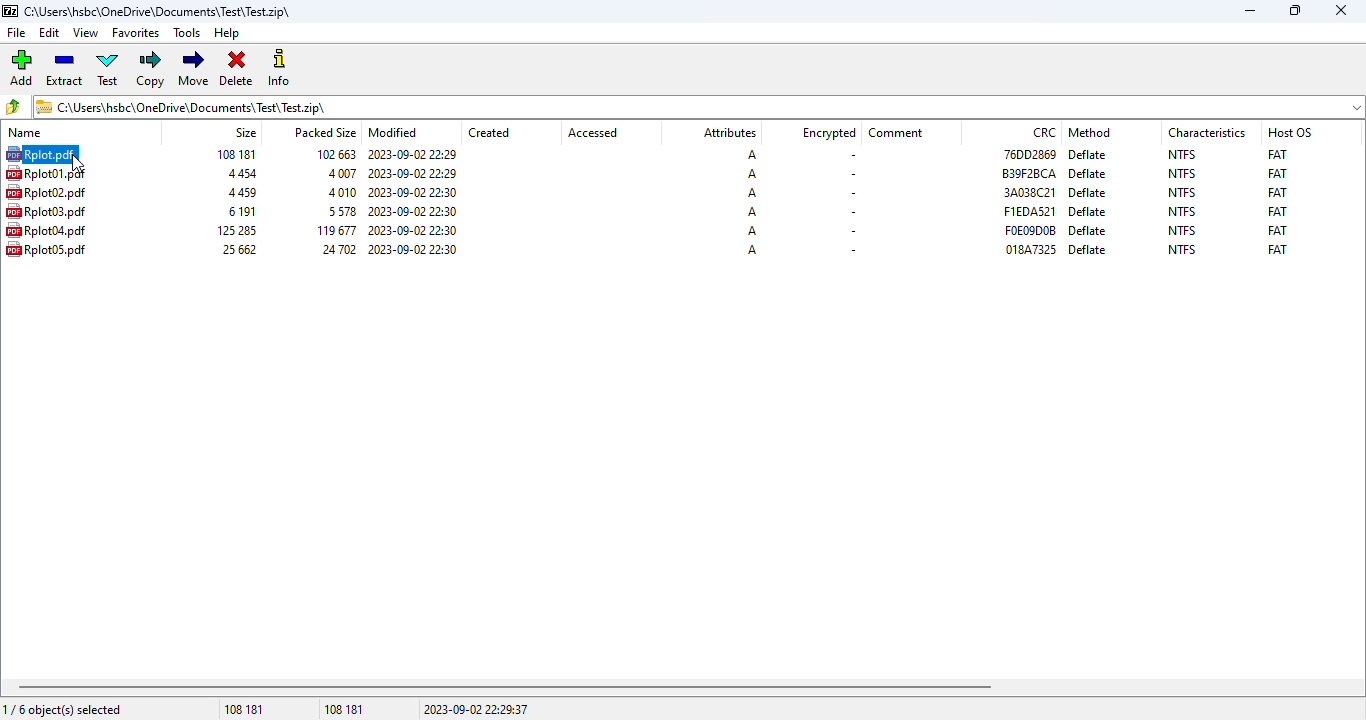 Image resolution: width=1366 pixels, height=720 pixels. I want to click on info, so click(279, 67).